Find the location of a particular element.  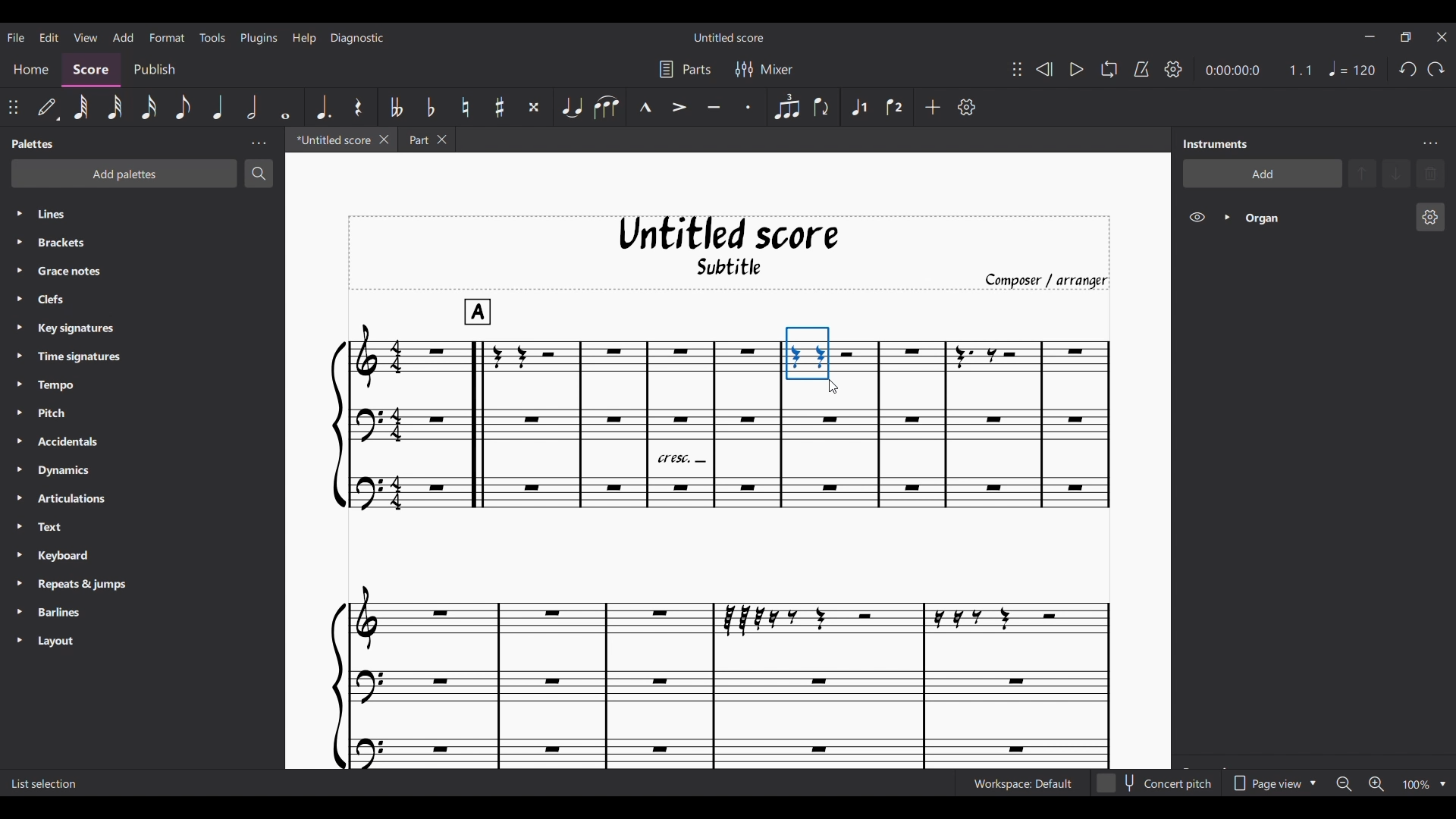

List of palettes is located at coordinates (158, 428).